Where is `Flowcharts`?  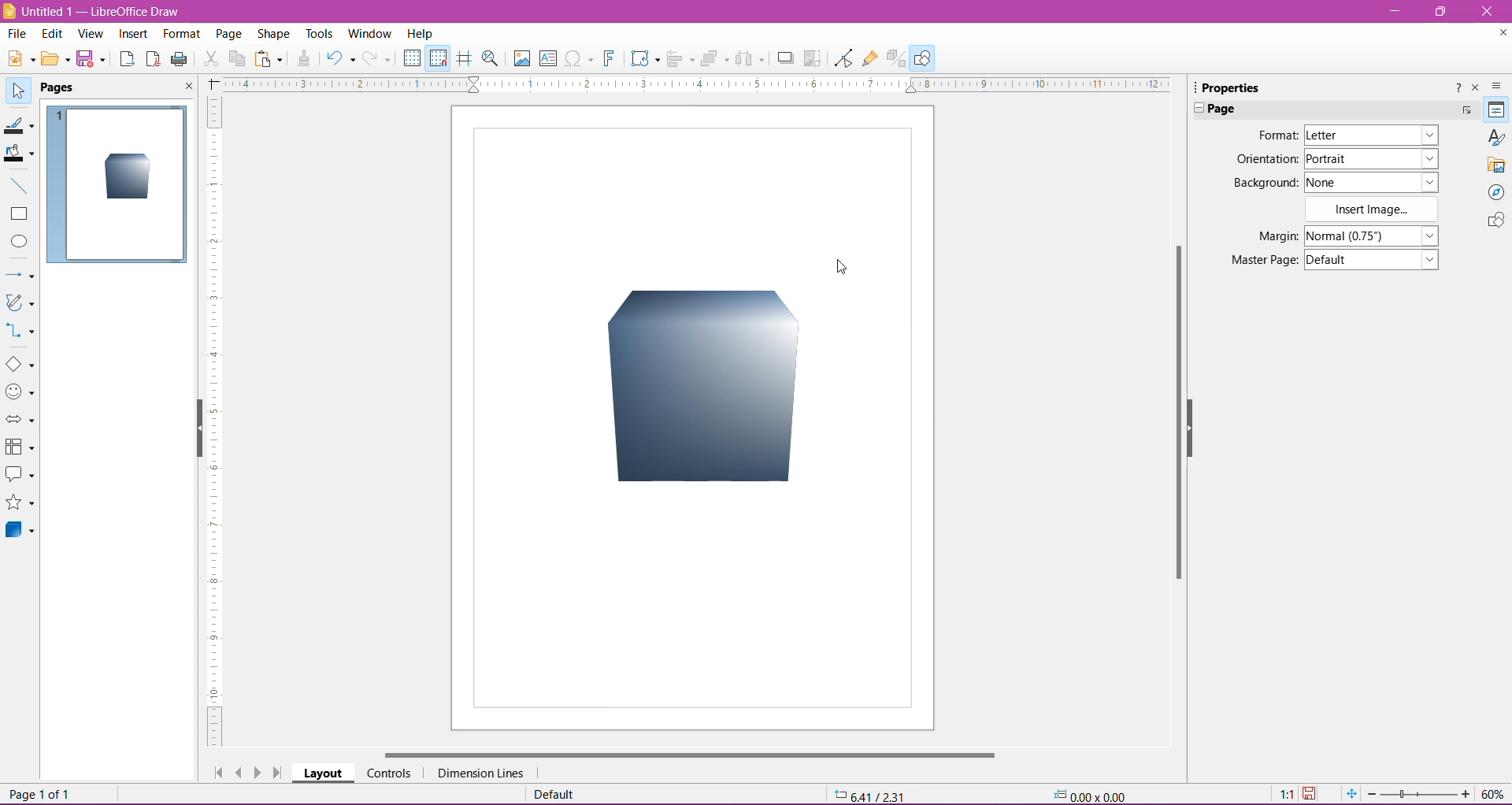
Flowcharts is located at coordinates (20, 447).